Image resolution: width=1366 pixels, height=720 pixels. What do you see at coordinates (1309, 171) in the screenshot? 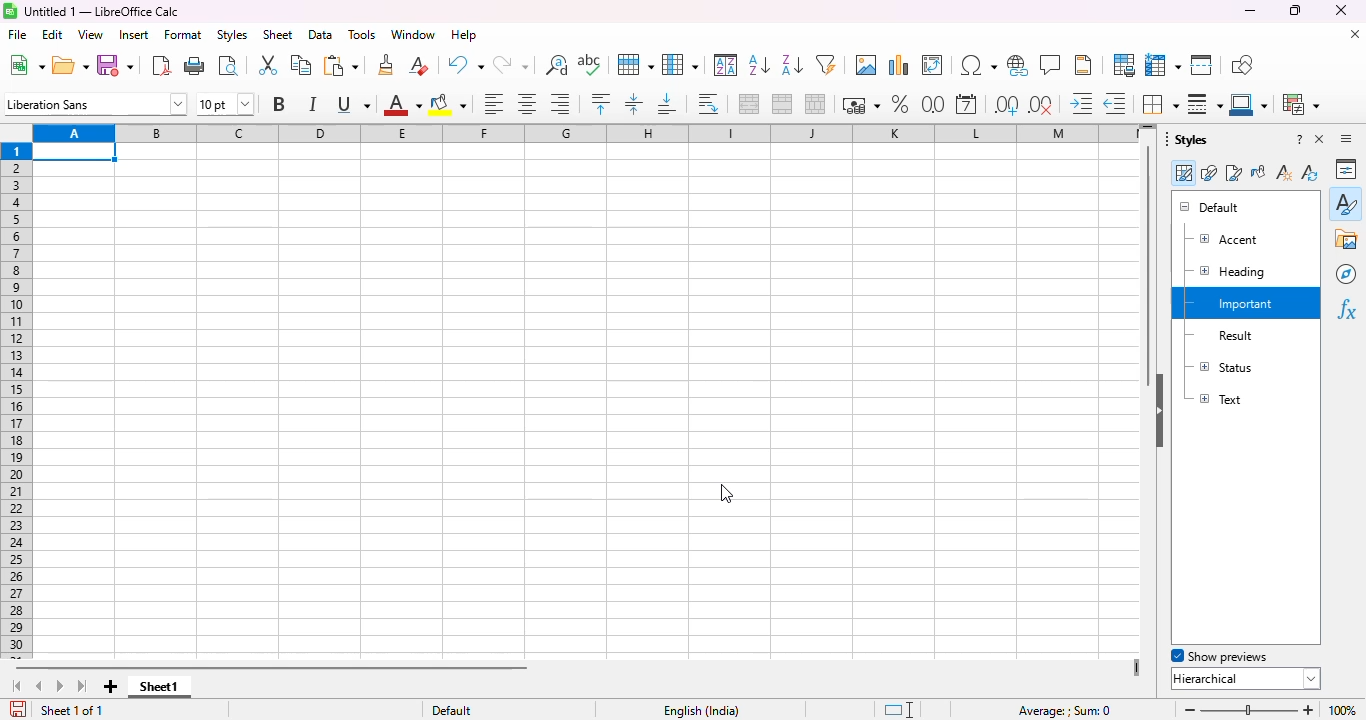
I see `update style` at bounding box center [1309, 171].